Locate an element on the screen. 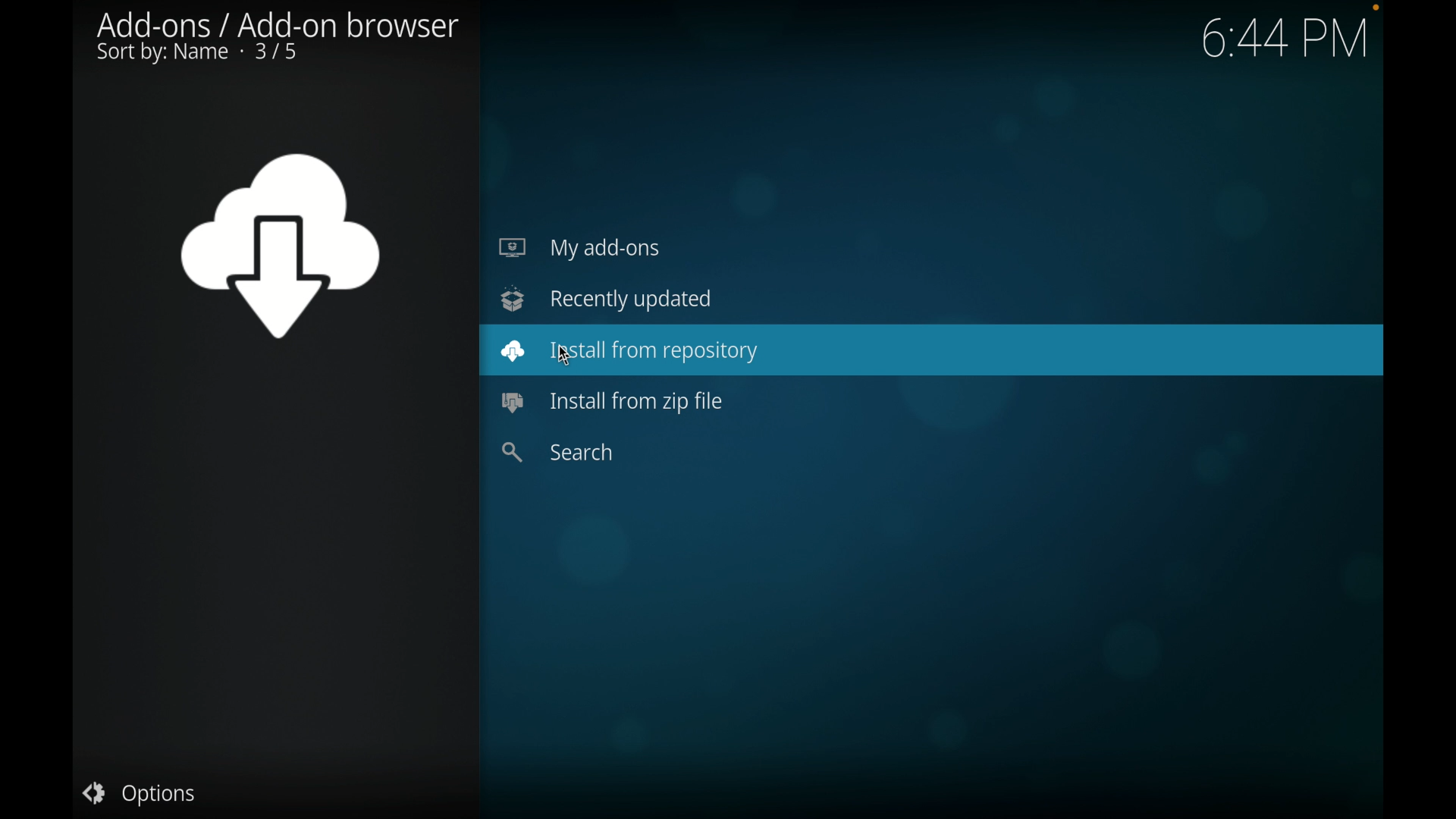 This screenshot has width=1456, height=819. install from zip file is located at coordinates (613, 403).